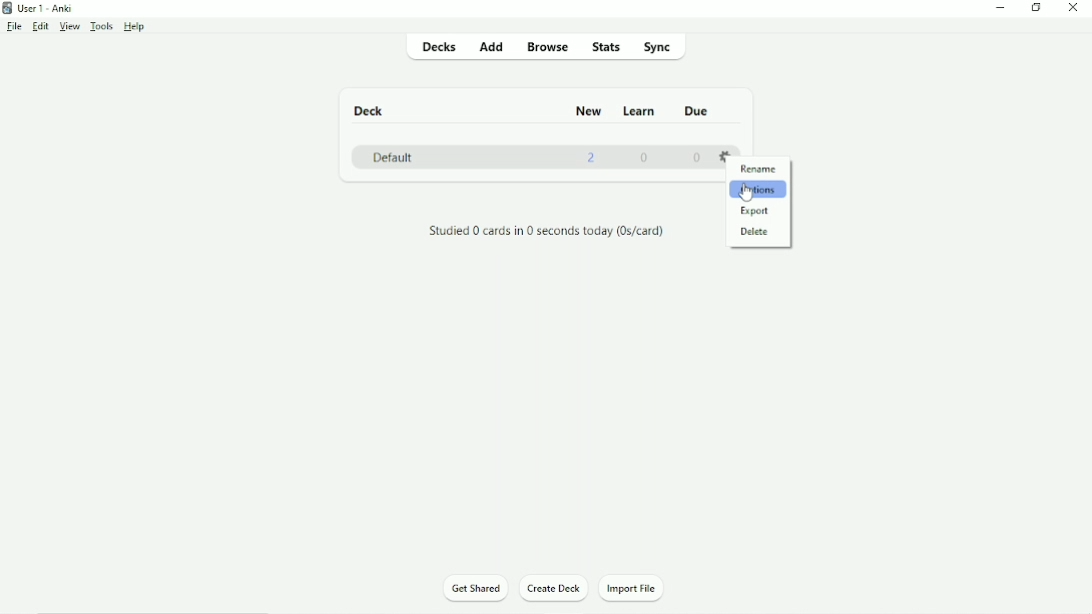 The image size is (1092, 614). I want to click on Studied 0 cards in 0 seconds today., so click(547, 232).